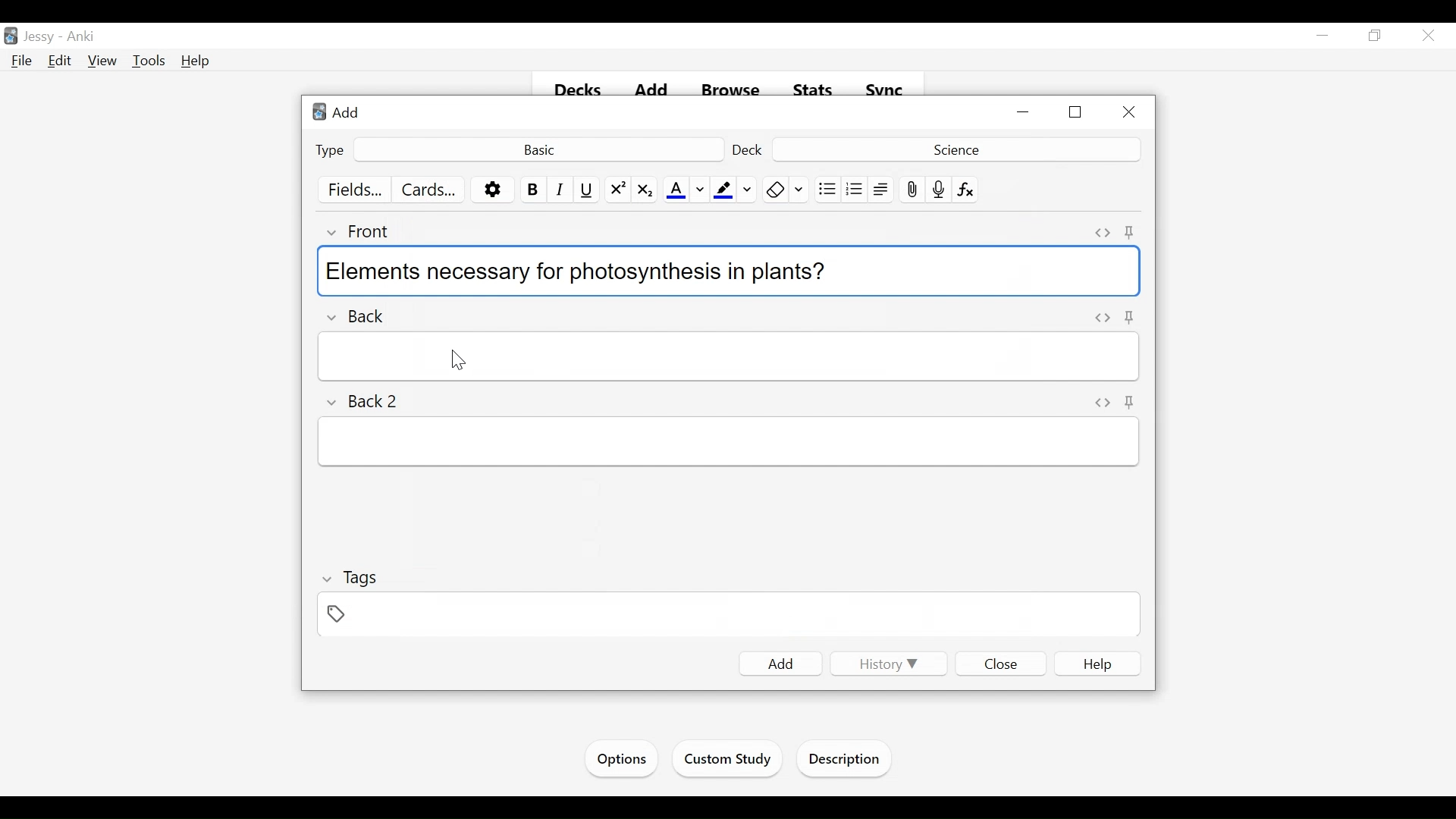 Image resolution: width=1456 pixels, height=819 pixels. Describe the element at coordinates (370, 402) in the screenshot. I see `Back 2` at that location.